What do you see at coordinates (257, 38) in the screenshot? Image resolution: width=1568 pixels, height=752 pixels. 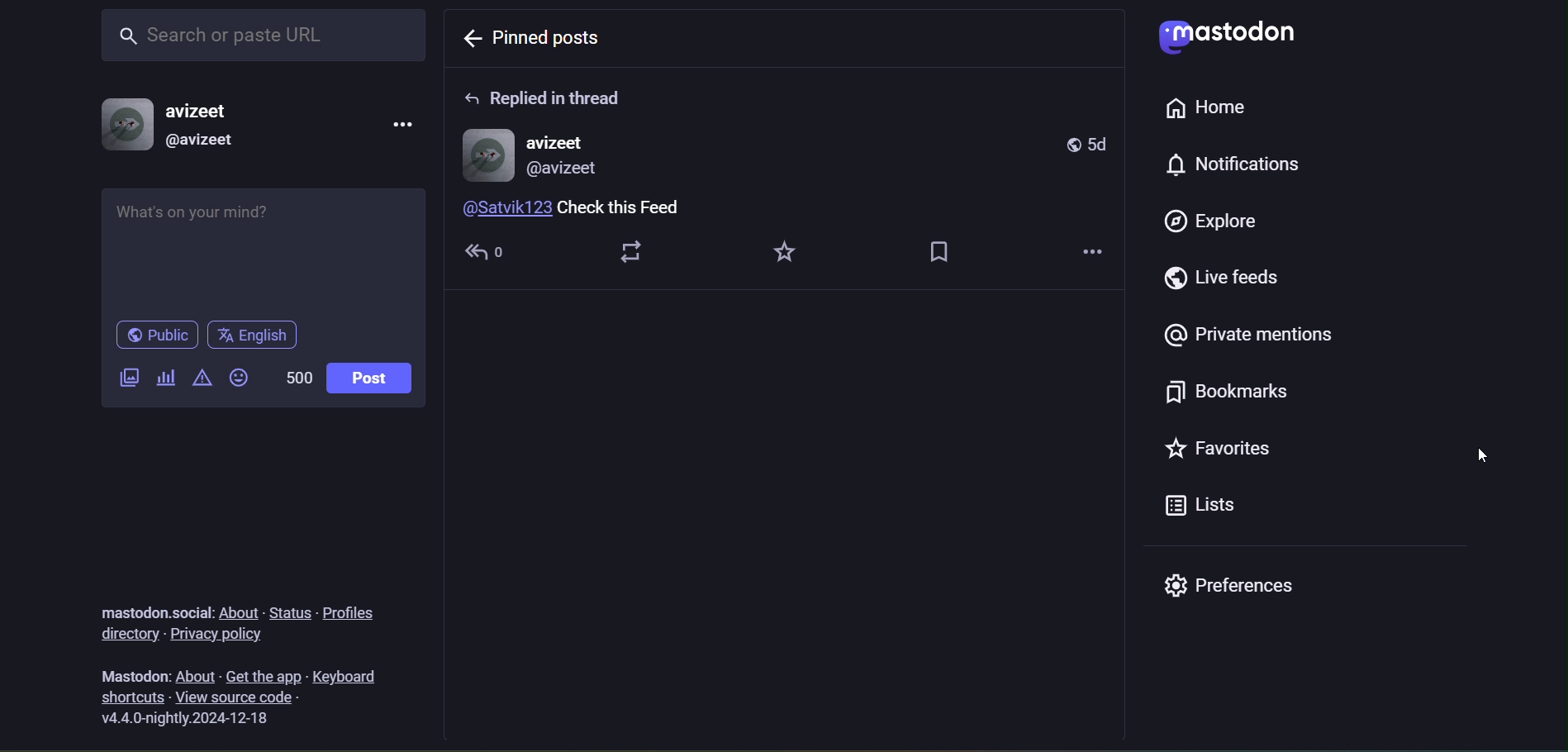 I see `search` at bounding box center [257, 38].